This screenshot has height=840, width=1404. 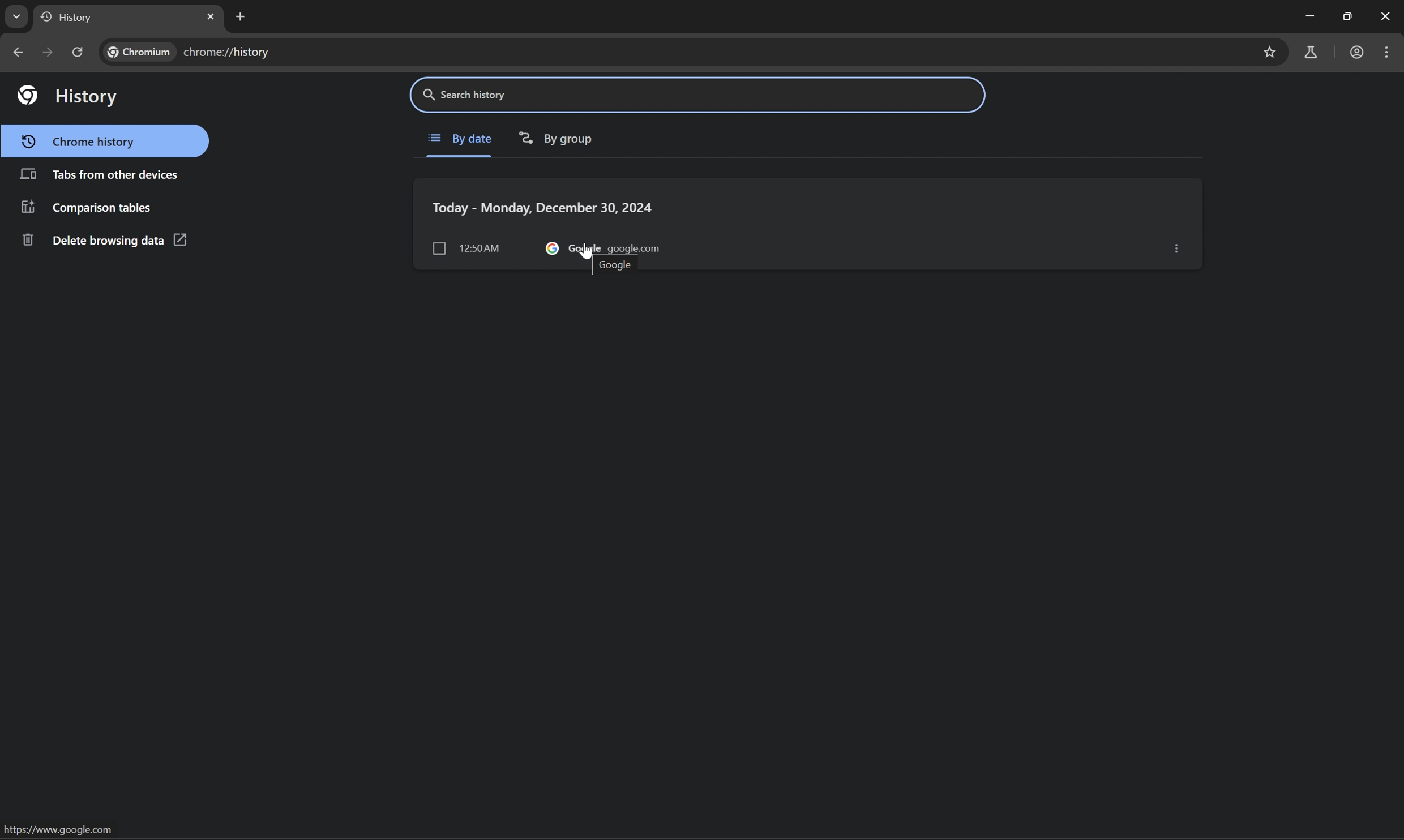 What do you see at coordinates (1311, 50) in the screenshot?
I see `chrome labs` at bounding box center [1311, 50].